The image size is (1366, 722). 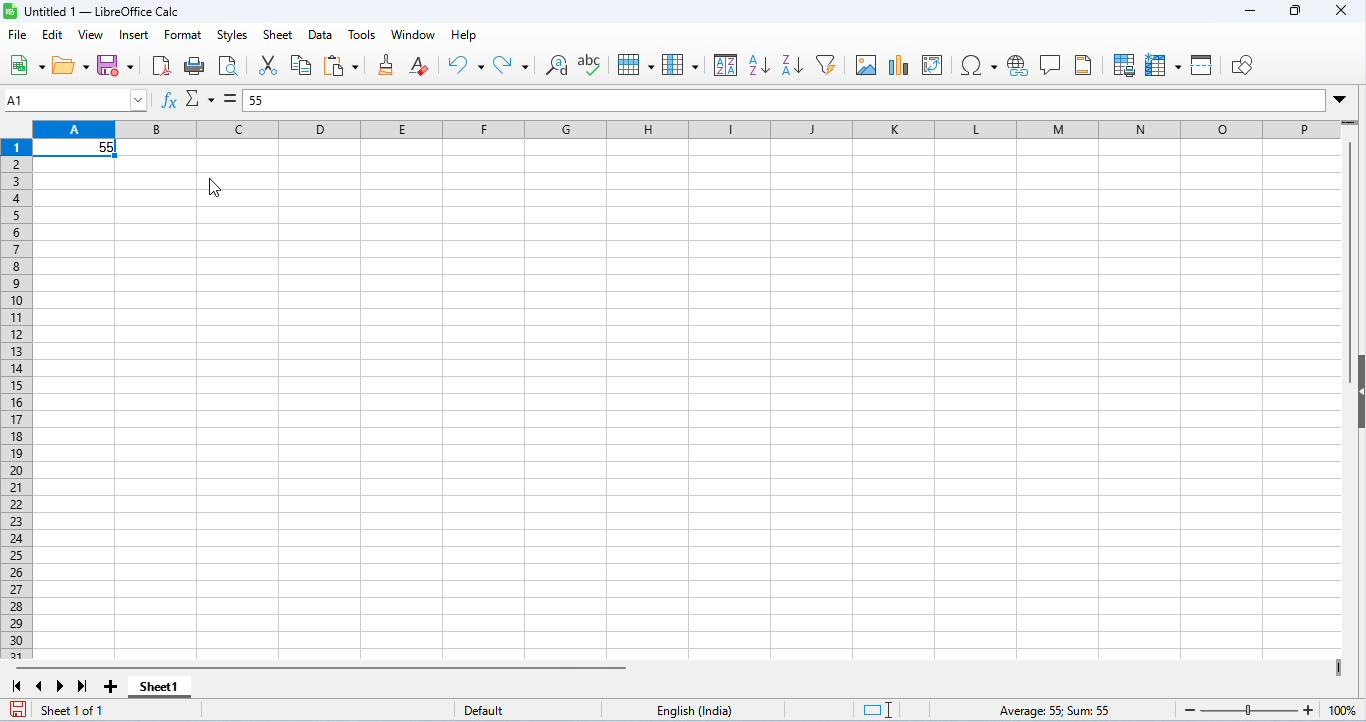 I want to click on hide, so click(x=1357, y=393).